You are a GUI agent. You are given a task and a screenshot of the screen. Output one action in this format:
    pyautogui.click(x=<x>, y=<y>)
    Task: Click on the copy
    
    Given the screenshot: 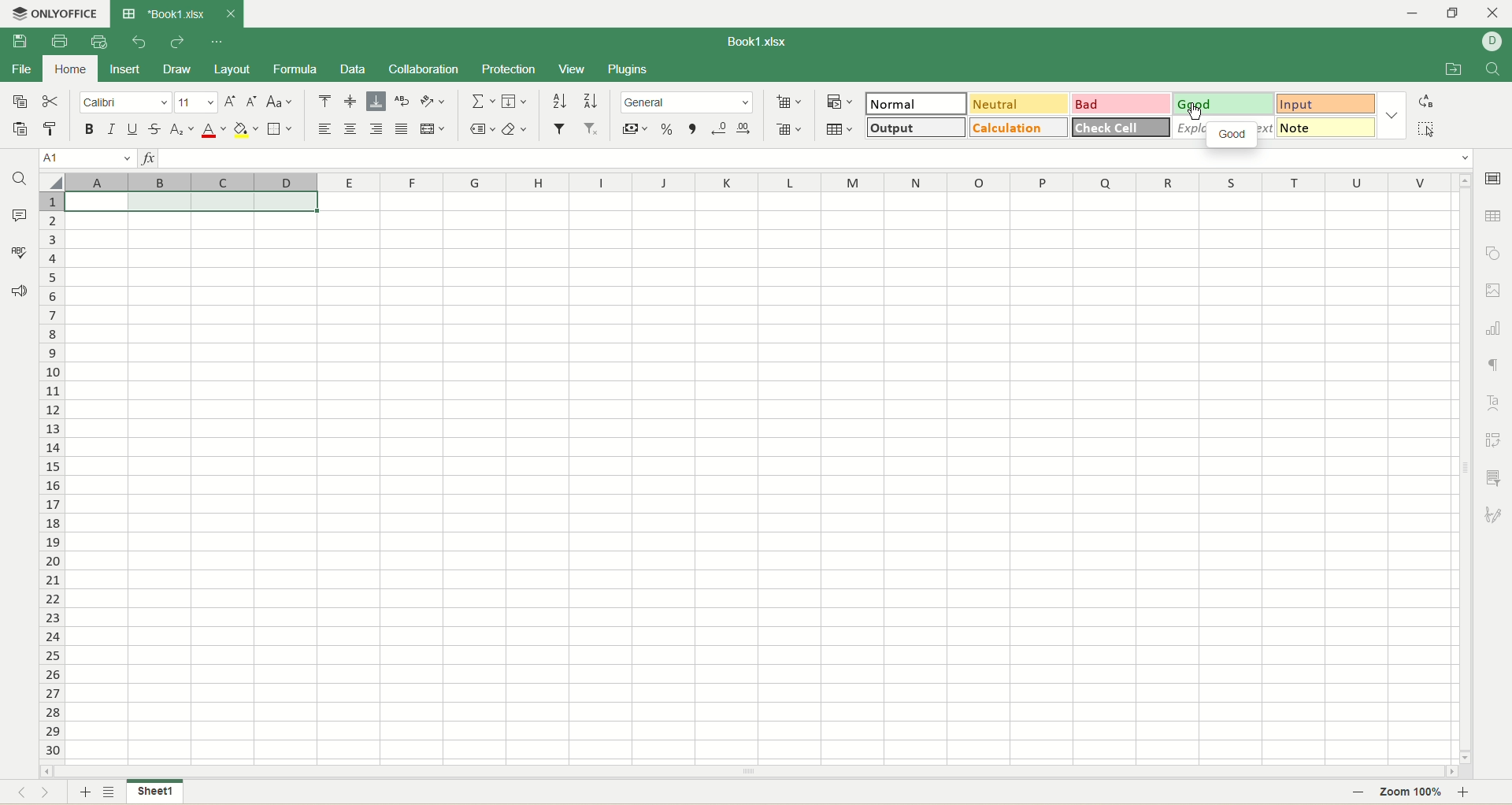 What is the action you would take?
    pyautogui.click(x=19, y=102)
    